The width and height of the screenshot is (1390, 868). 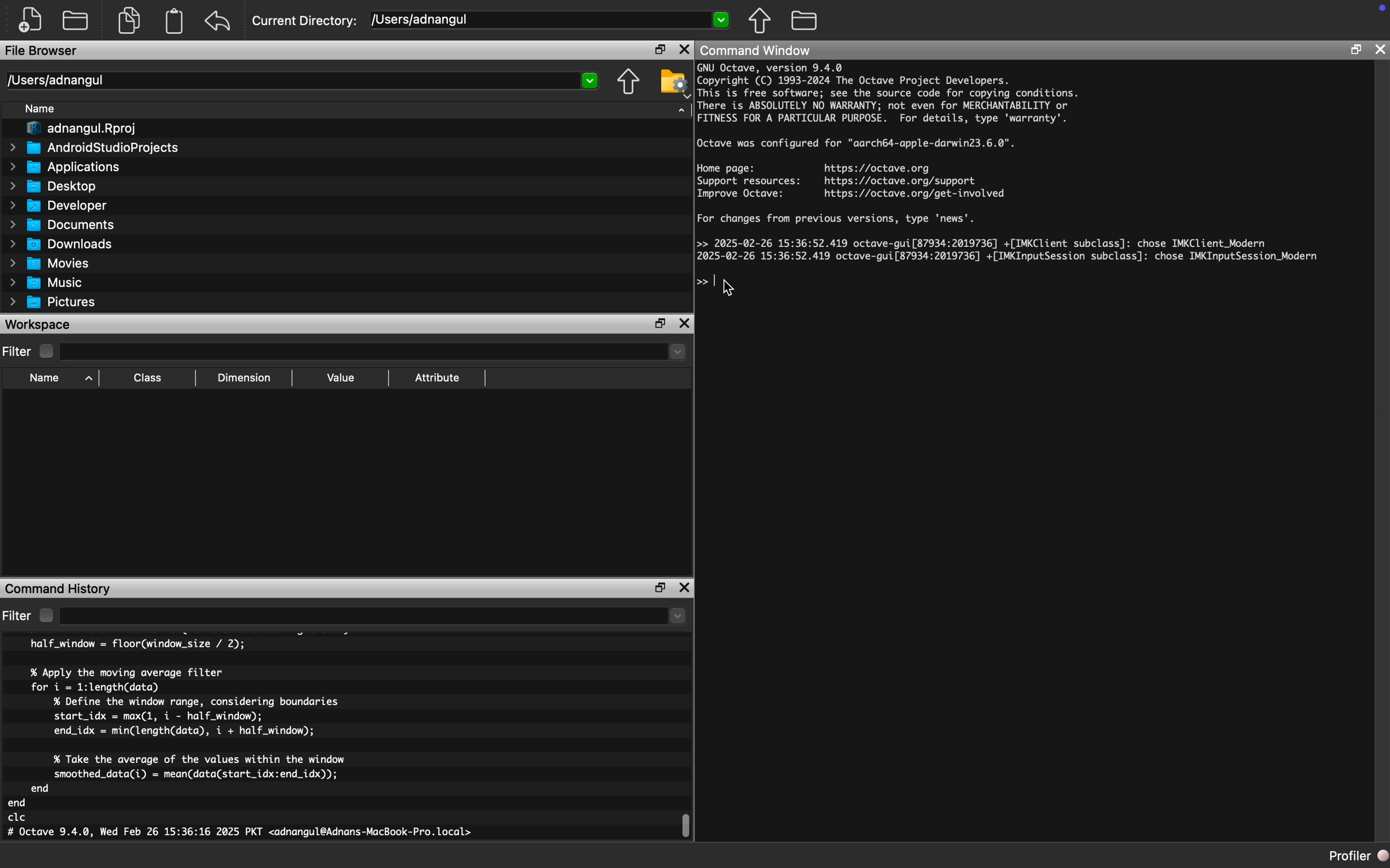 I want to click on Restore Down, so click(x=1355, y=49).